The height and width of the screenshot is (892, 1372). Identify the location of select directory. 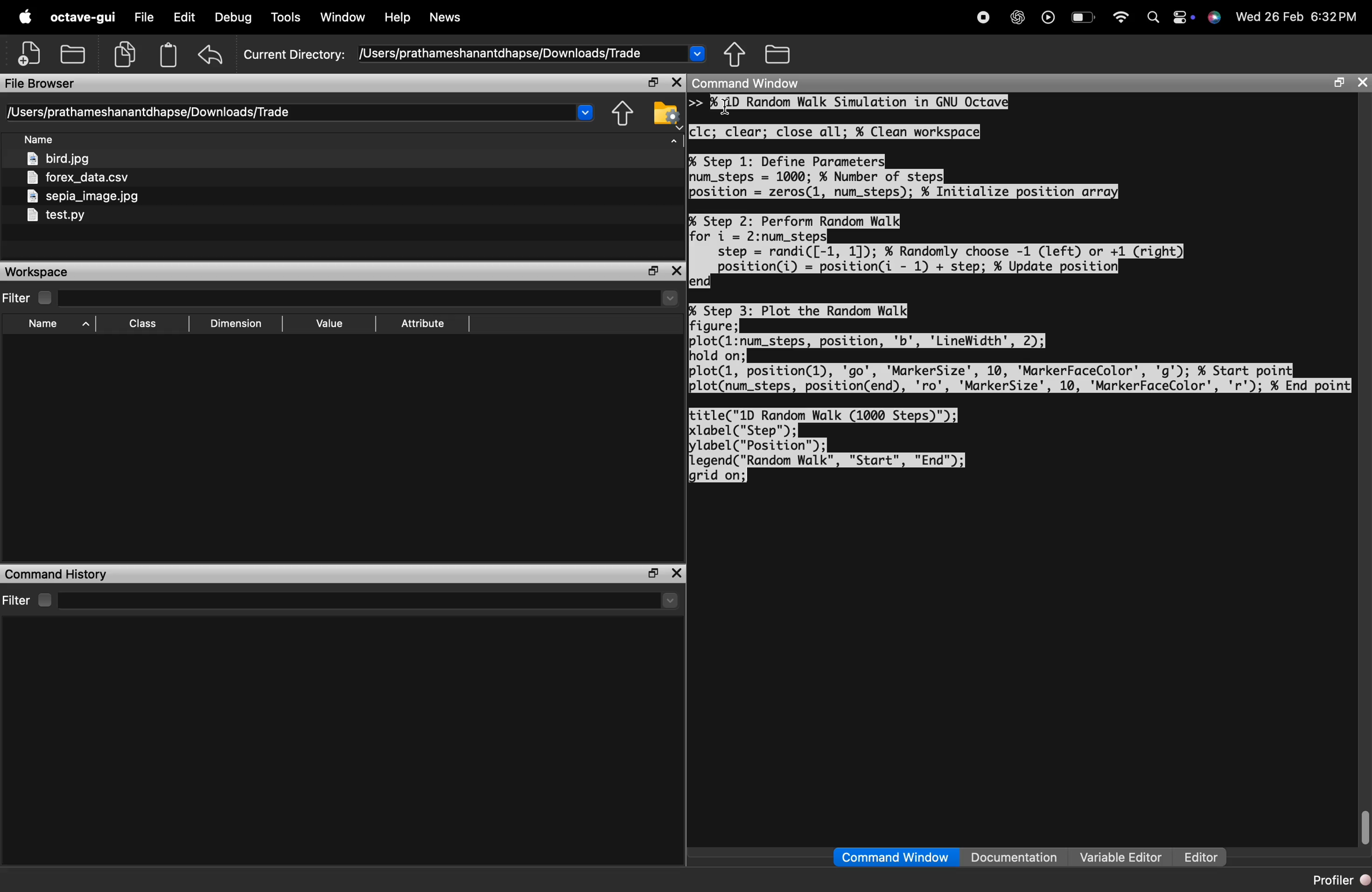
(375, 299).